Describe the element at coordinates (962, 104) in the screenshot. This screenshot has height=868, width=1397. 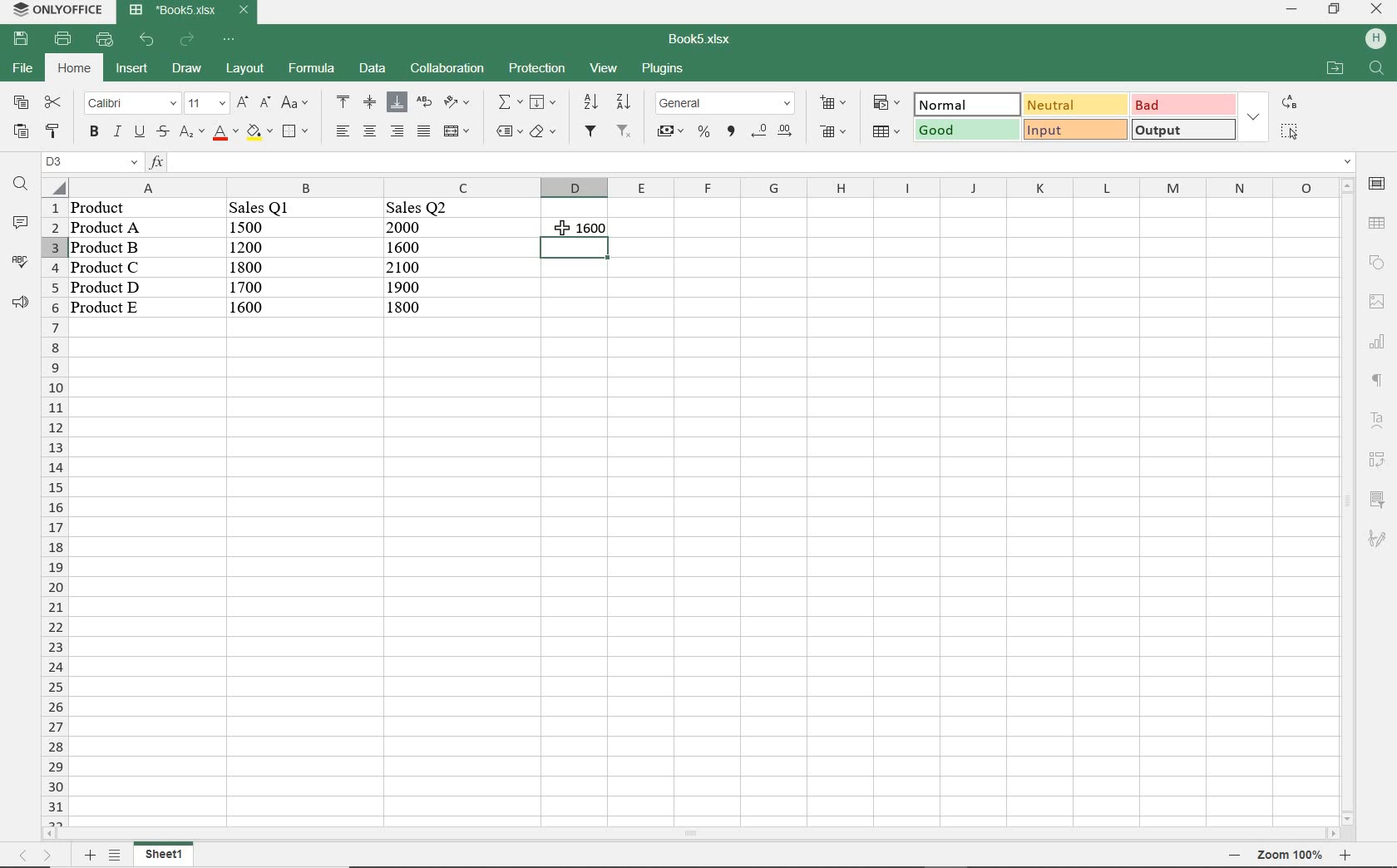
I see `normal` at that location.